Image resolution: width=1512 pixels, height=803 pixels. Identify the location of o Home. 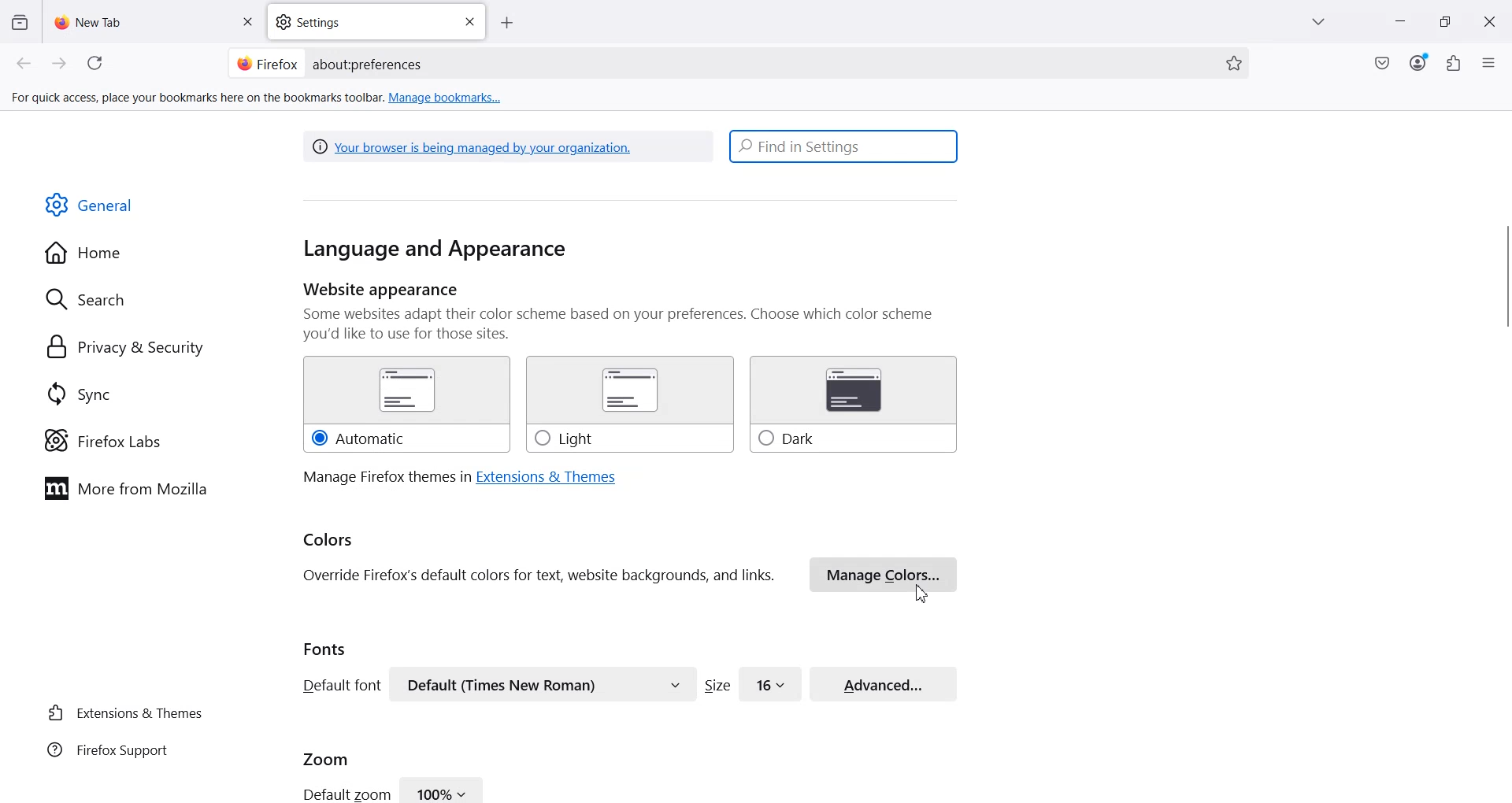
(85, 253).